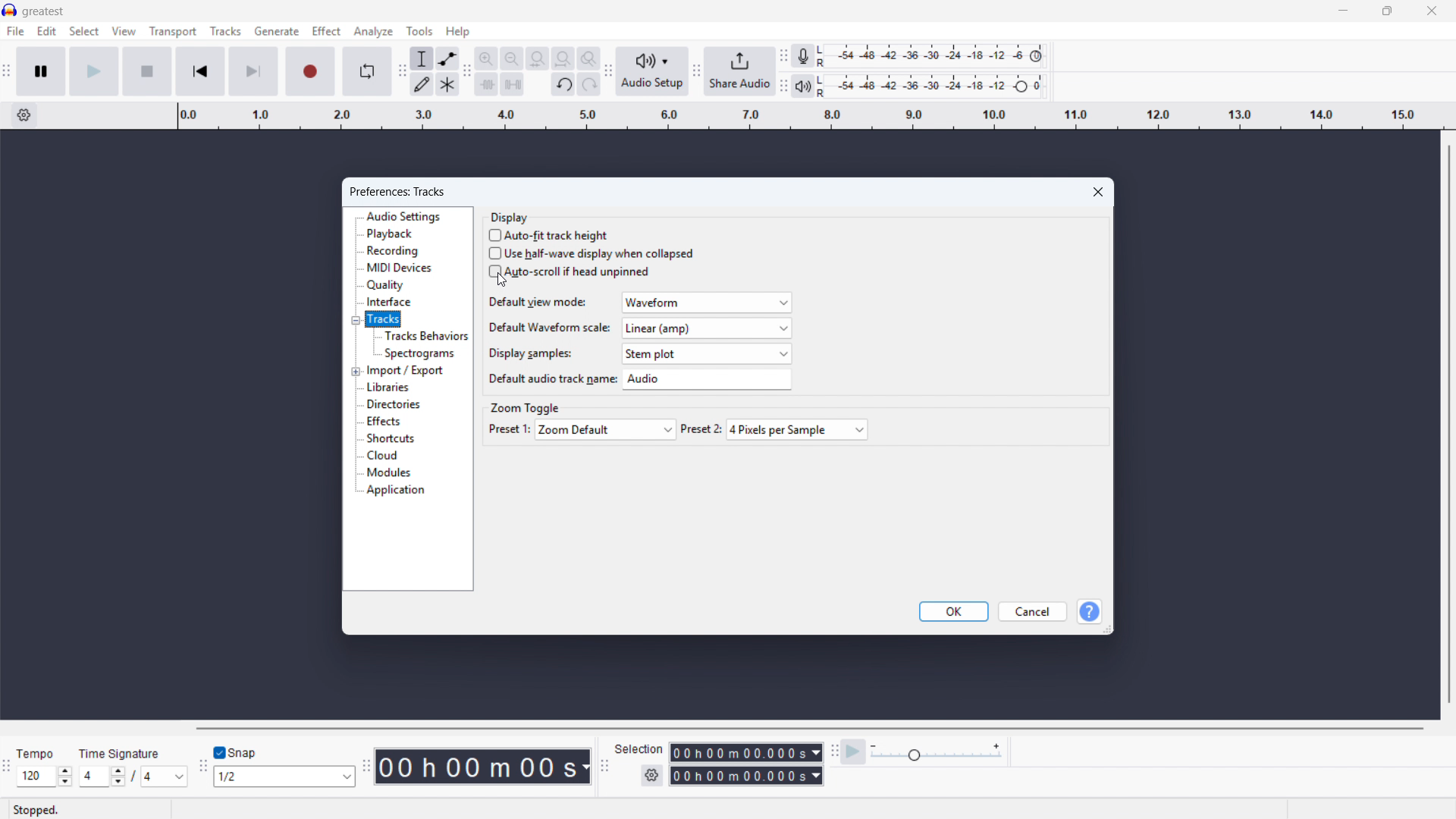 This screenshot has width=1456, height=819. I want to click on Multi tool , so click(447, 85).